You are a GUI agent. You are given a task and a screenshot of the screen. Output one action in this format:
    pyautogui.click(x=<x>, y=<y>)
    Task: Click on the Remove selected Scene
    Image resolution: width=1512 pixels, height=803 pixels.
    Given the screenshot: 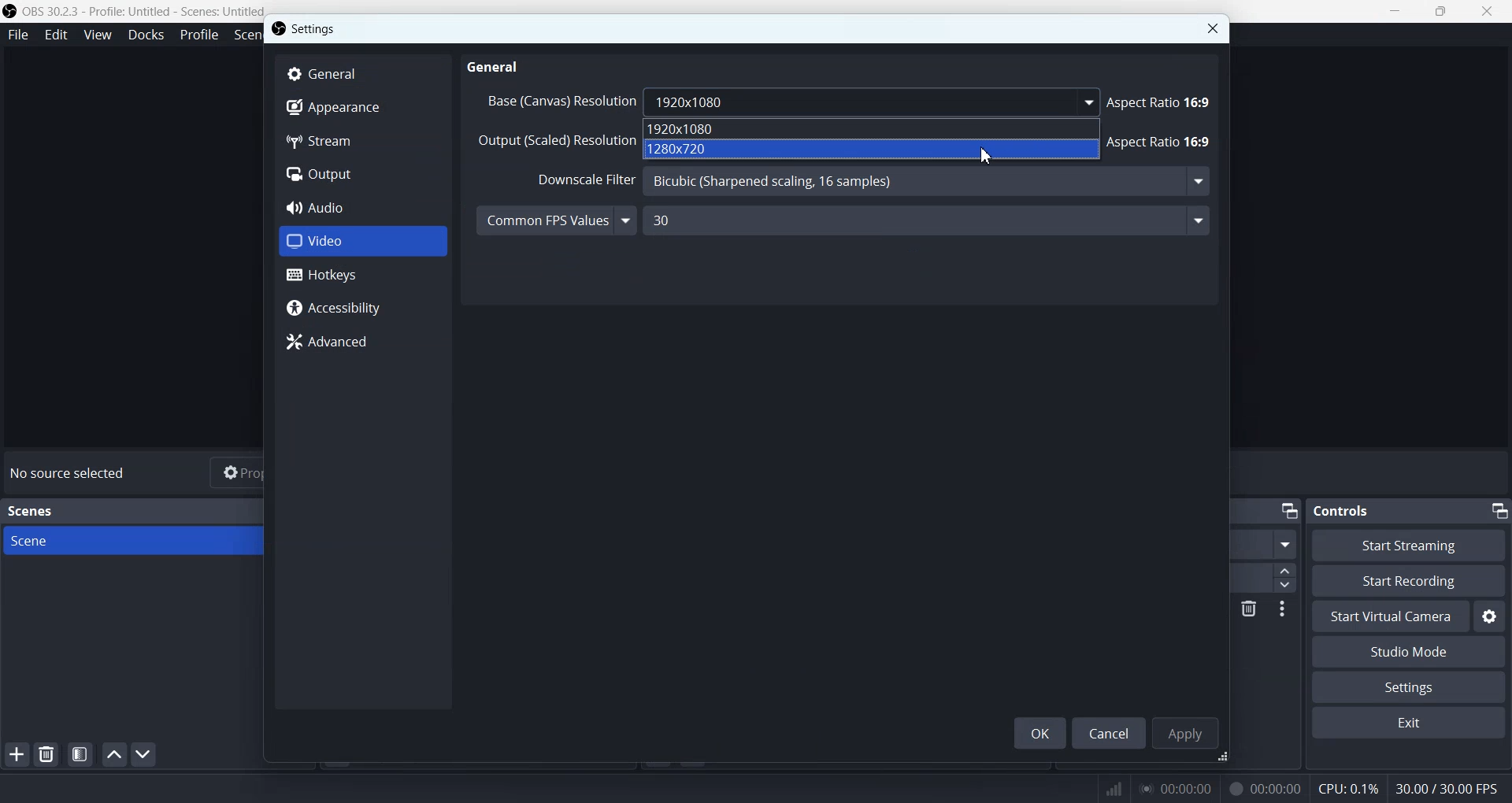 What is the action you would take?
    pyautogui.click(x=47, y=754)
    